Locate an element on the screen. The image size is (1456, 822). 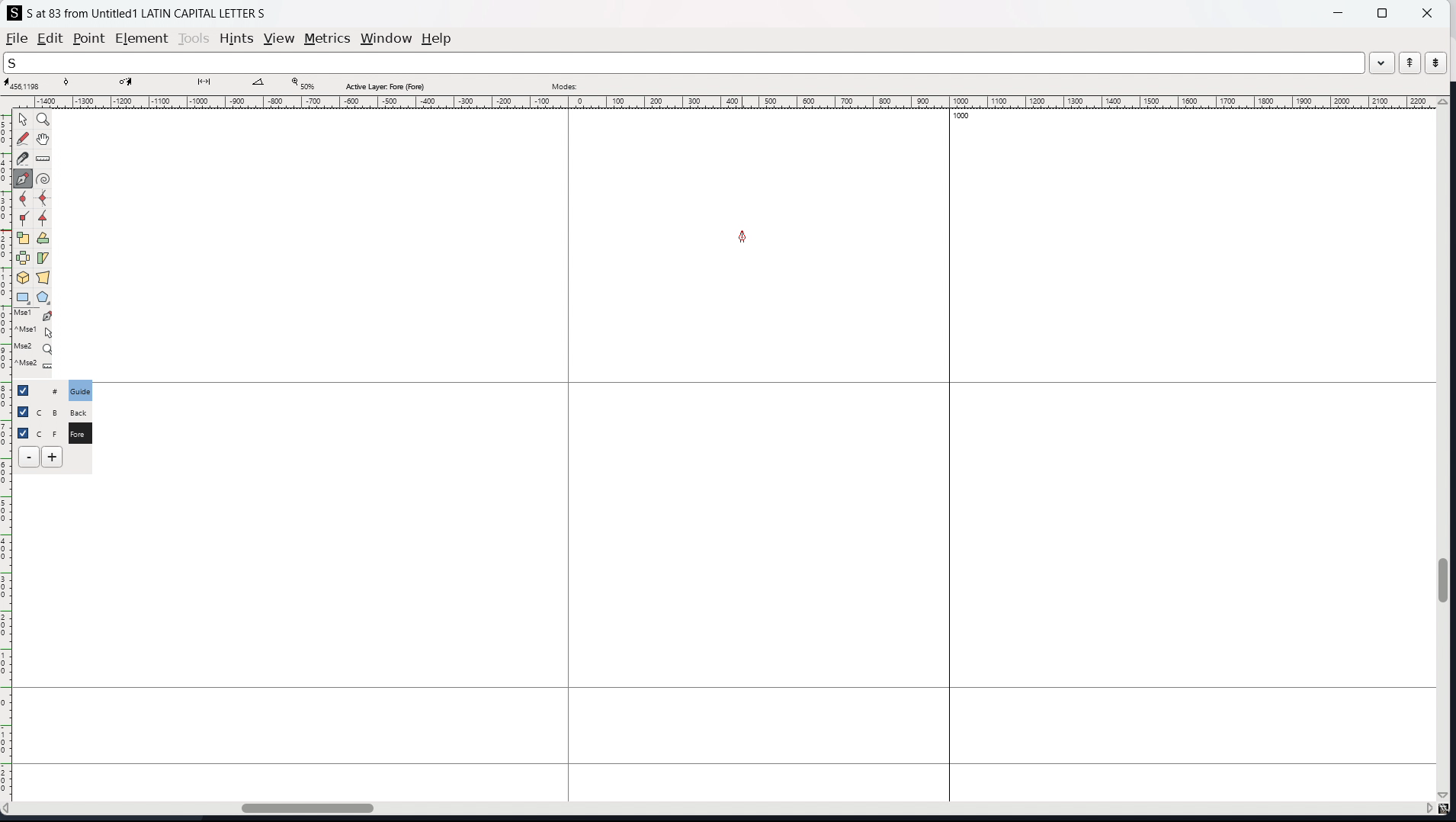
logo is located at coordinates (14, 13).